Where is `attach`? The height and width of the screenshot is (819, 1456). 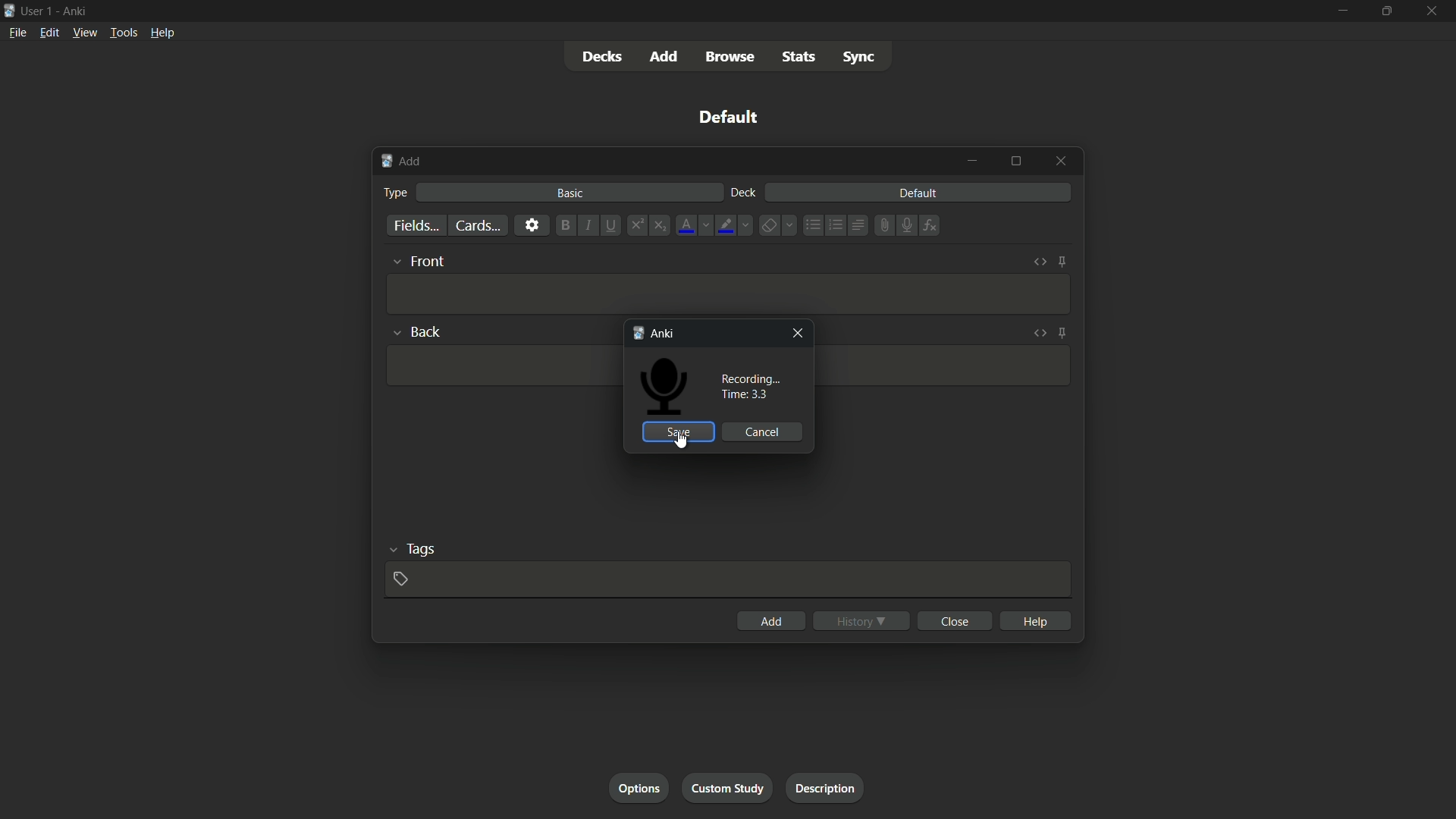
attach is located at coordinates (881, 225).